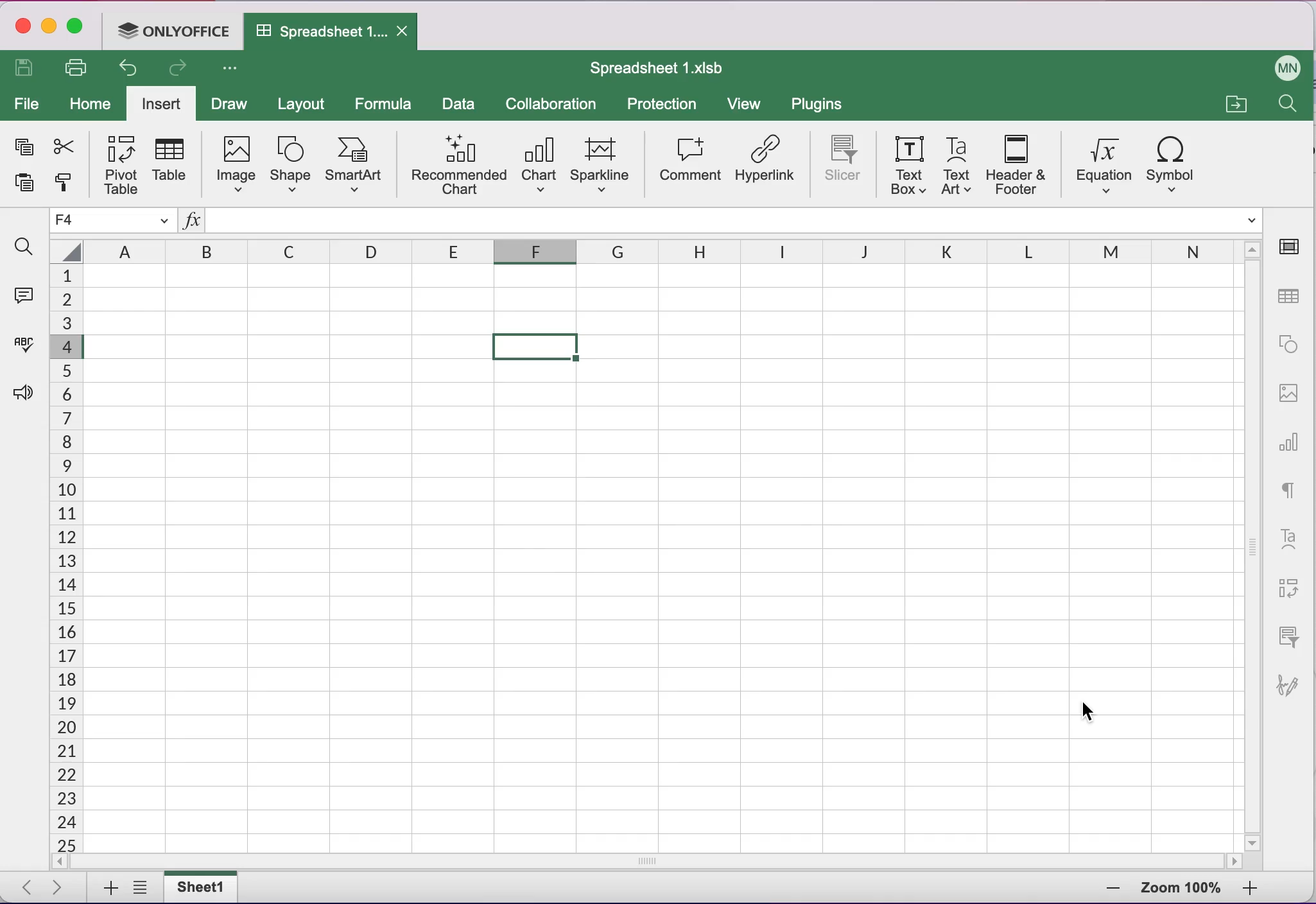 The height and width of the screenshot is (904, 1316). What do you see at coordinates (234, 72) in the screenshot?
I see `more options` at bounding box center [234, 72].